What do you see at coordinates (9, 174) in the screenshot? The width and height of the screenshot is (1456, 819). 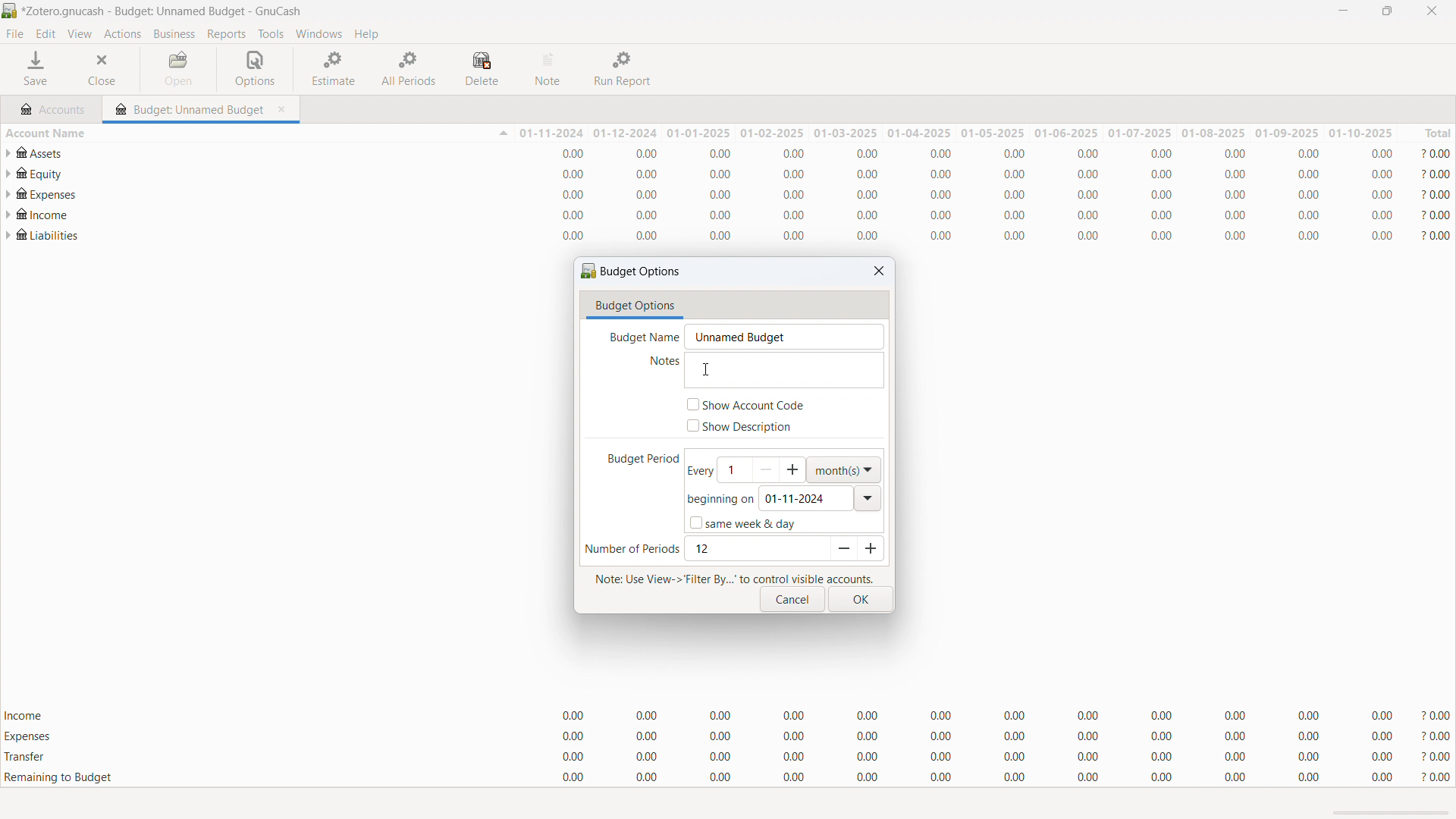 I see `expand subaccounts` at bounding box center [9, 174].